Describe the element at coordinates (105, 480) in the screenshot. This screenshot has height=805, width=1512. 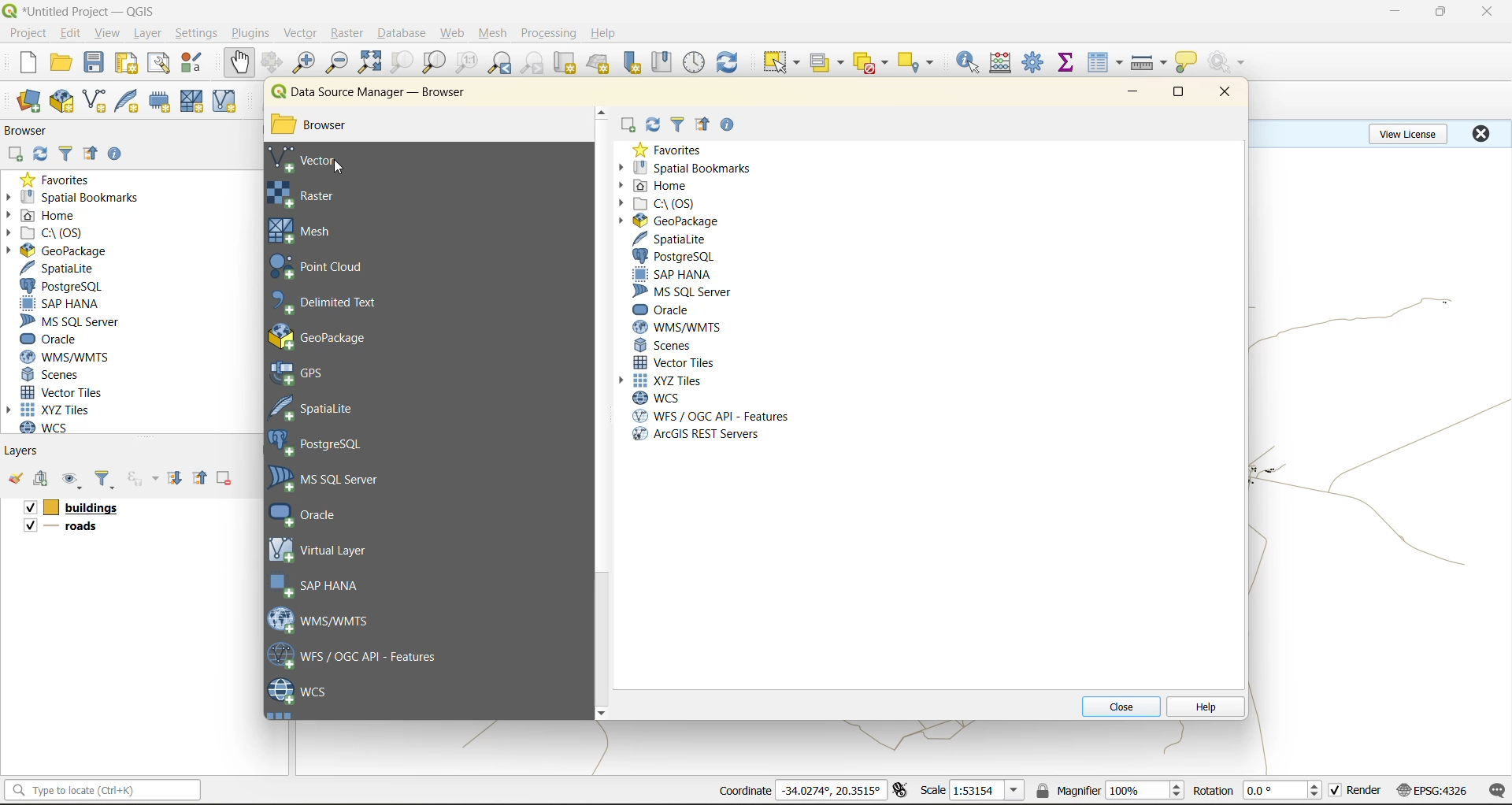
I see `filter` at that location.